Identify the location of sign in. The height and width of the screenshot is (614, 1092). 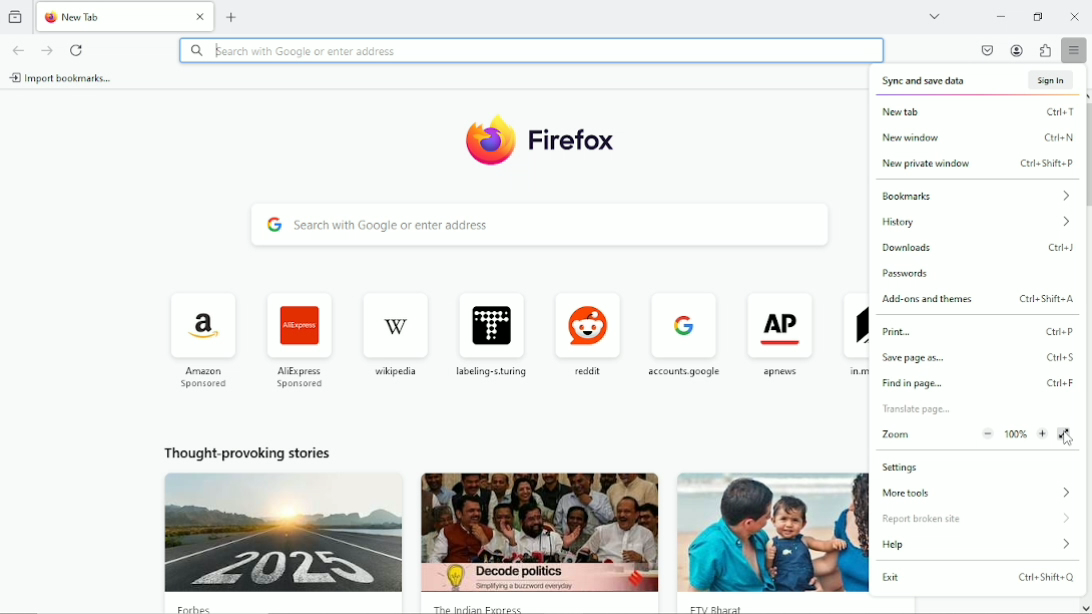
(1049, 79).